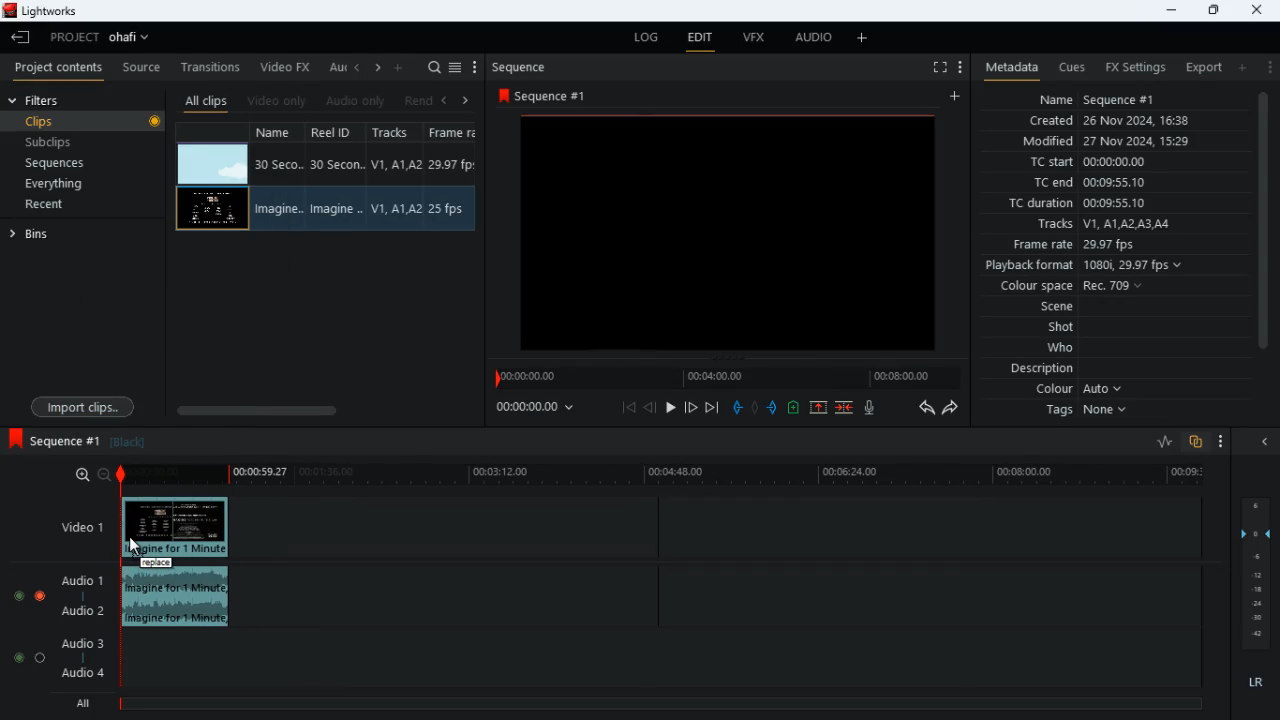  What do you see at coordinates (737, 407) in the screenshot?
I see `pull` at bounding box center [737, 407].